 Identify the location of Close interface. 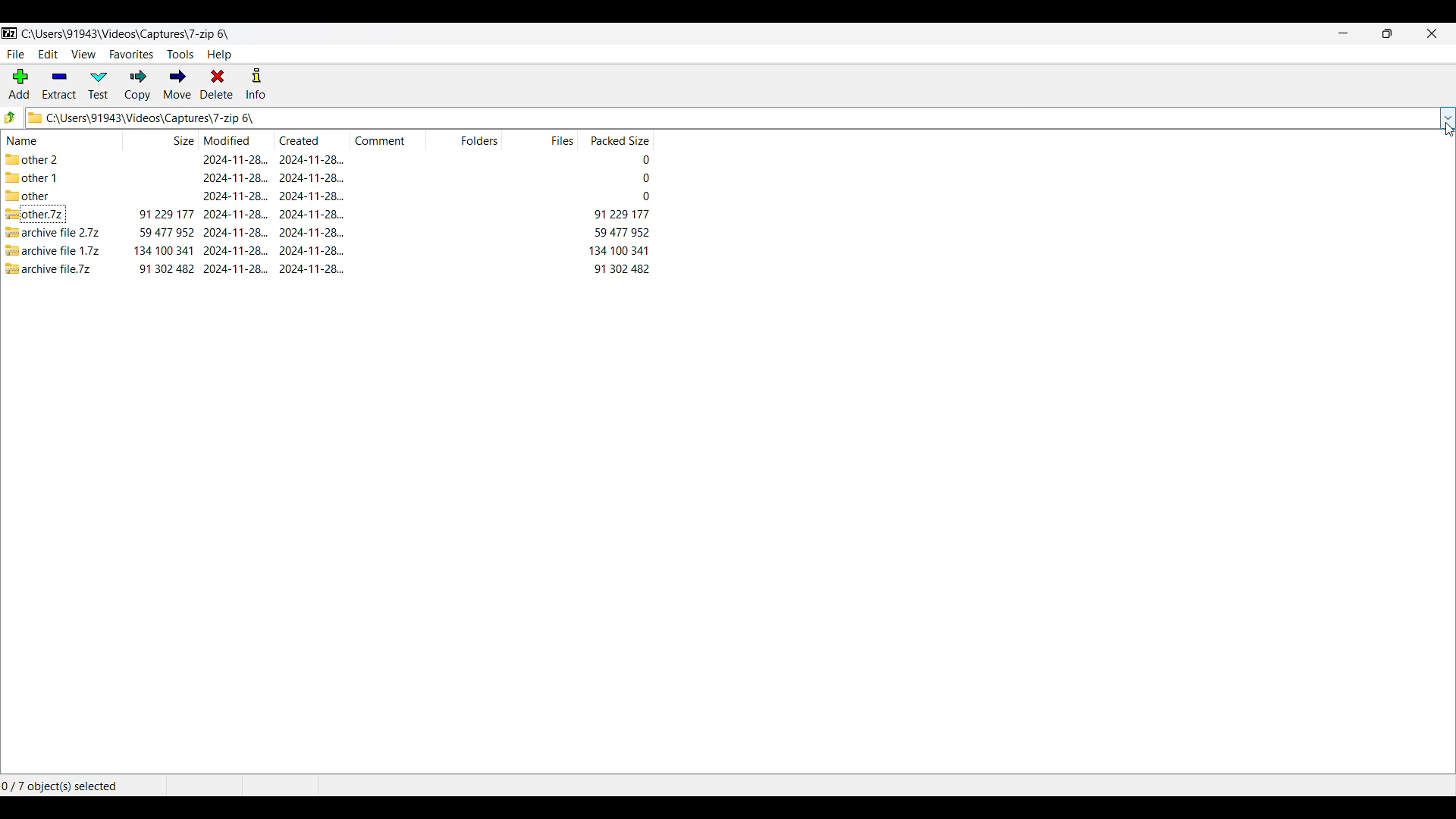
(1432, 33).